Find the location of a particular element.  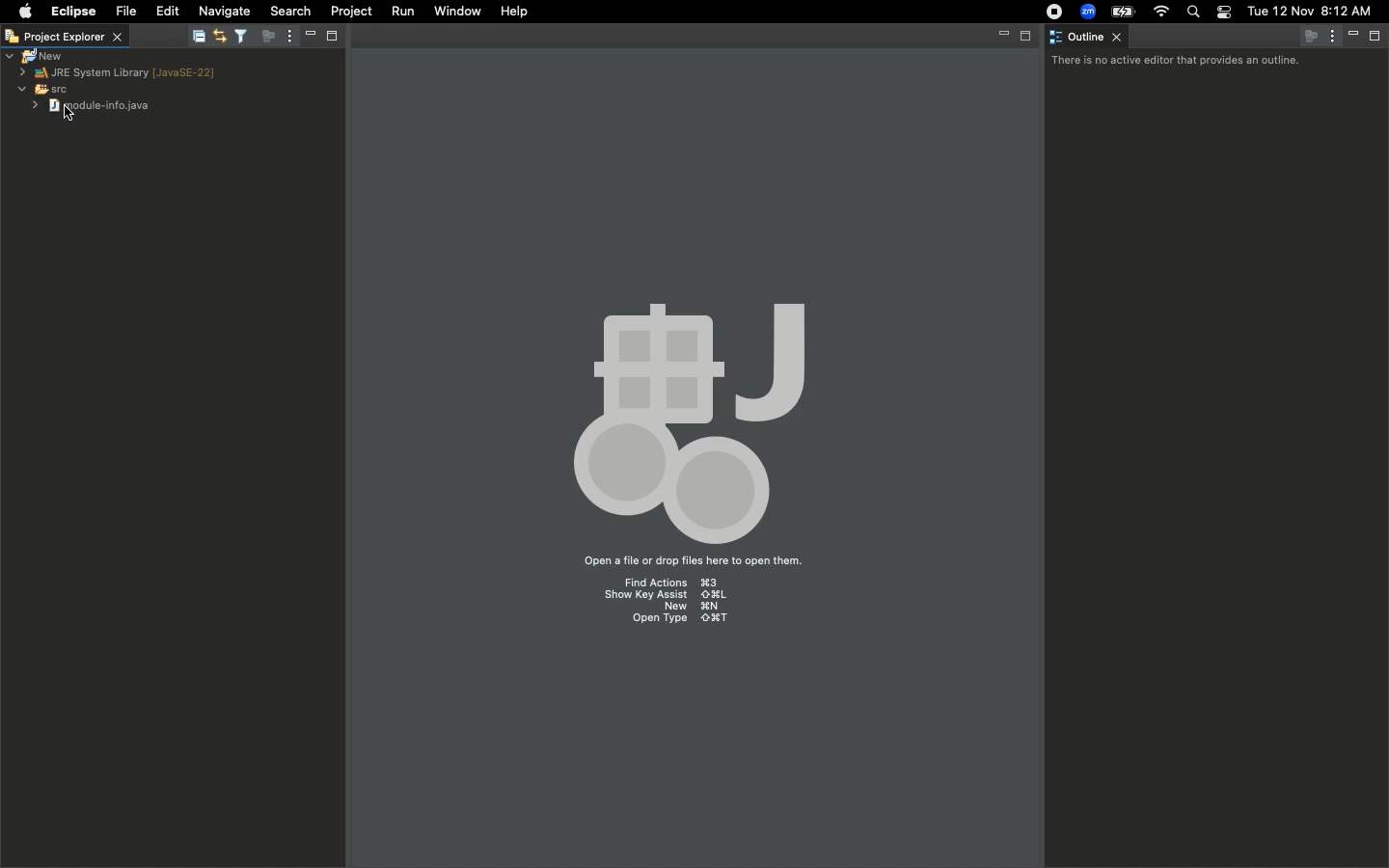

Find actions is located at coordinates (669, 581).